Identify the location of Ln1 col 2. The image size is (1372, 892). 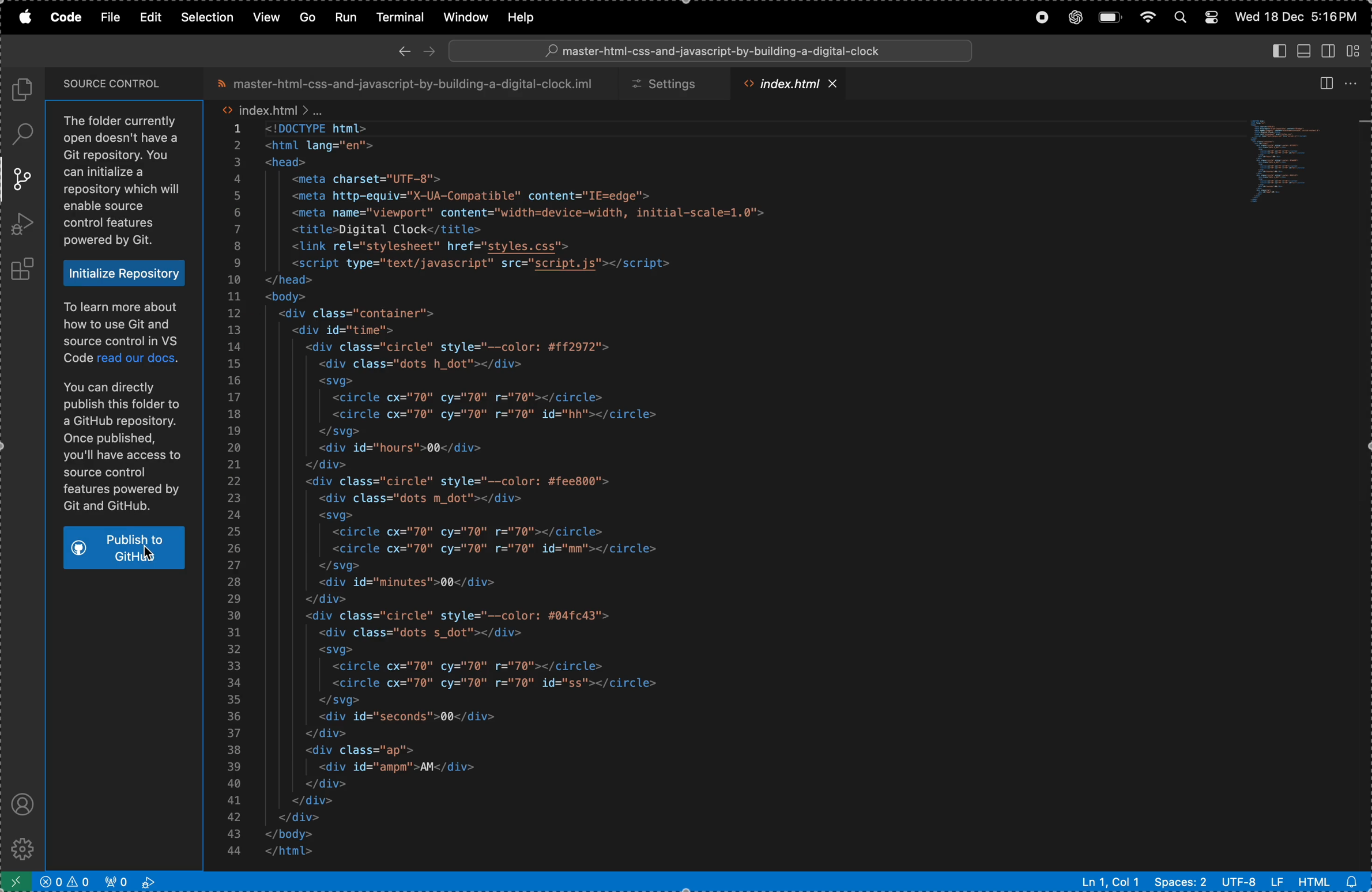
(1110, 882).